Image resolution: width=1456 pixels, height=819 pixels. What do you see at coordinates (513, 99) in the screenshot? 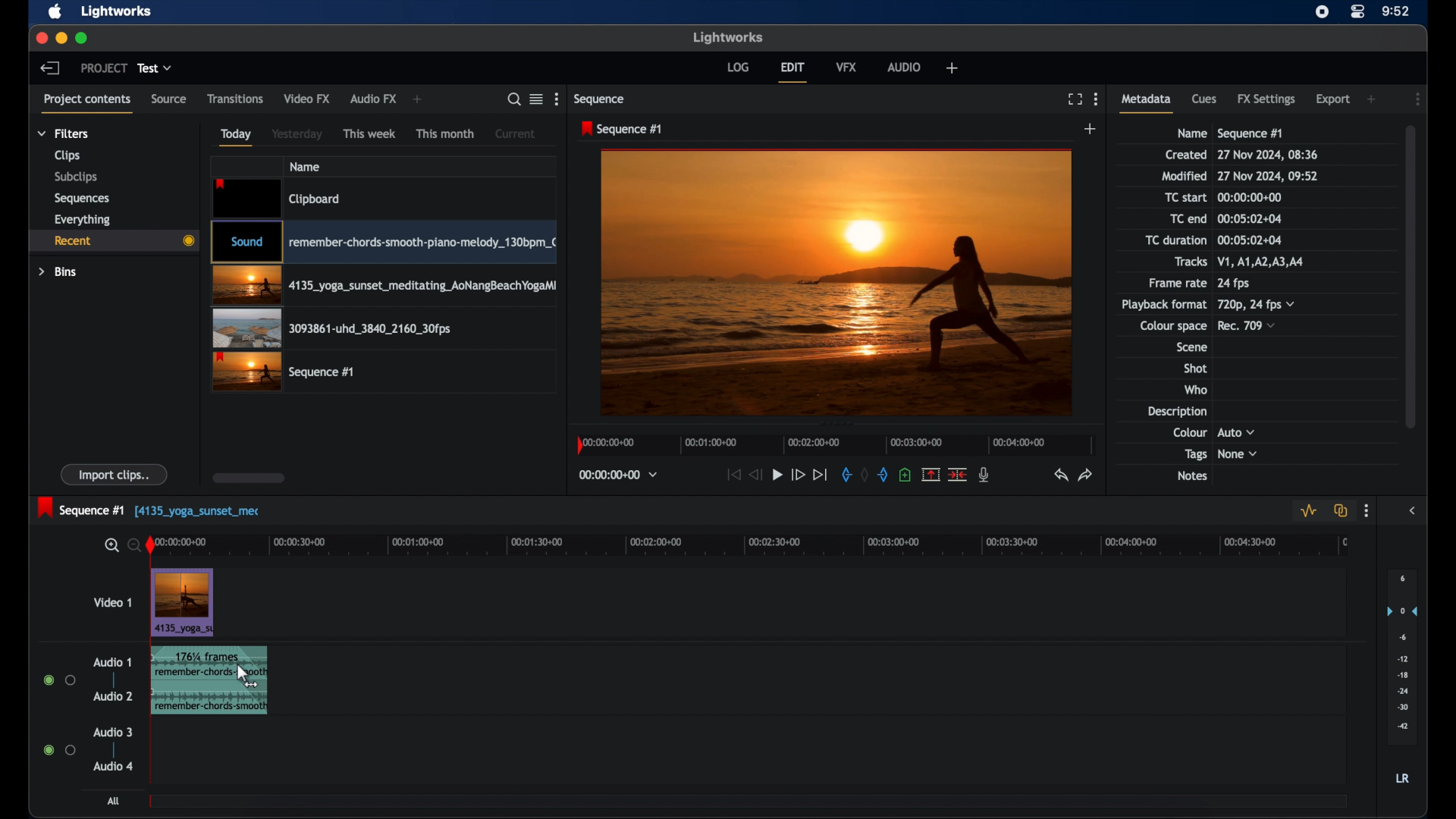
I see `search` at bounding box center [513, 99].